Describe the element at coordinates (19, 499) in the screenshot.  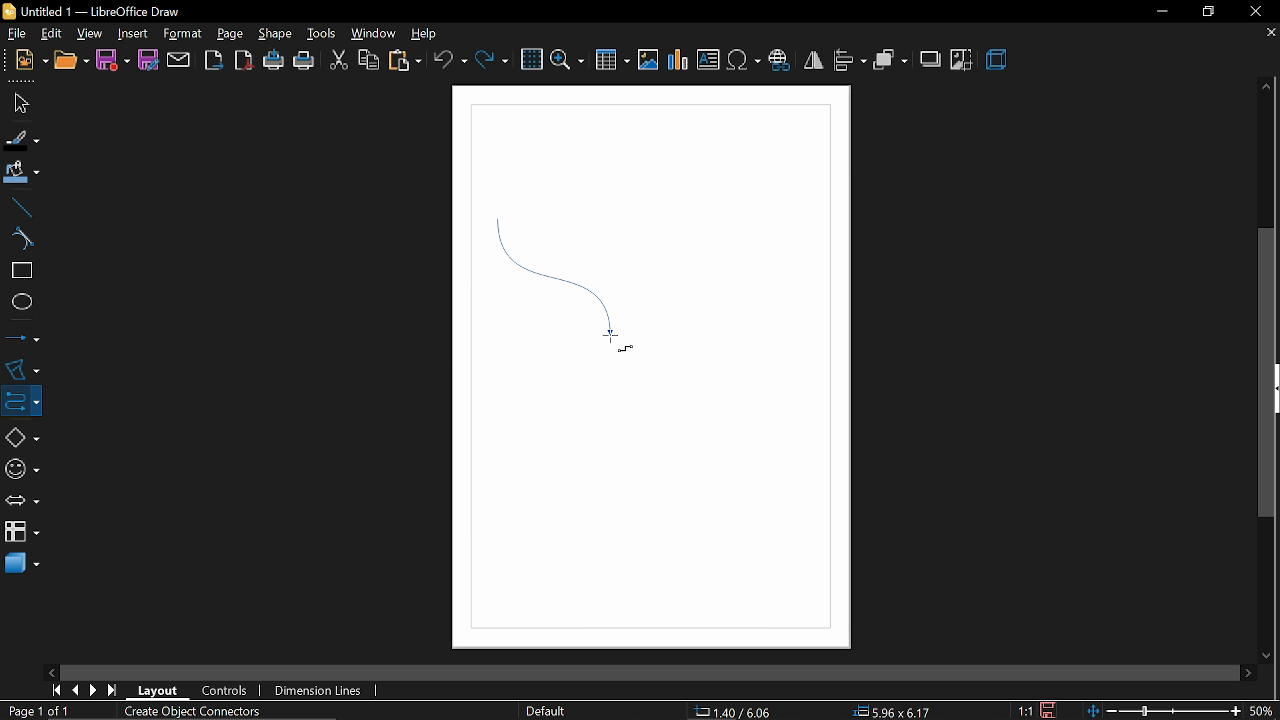
I see `arrows` at that location.